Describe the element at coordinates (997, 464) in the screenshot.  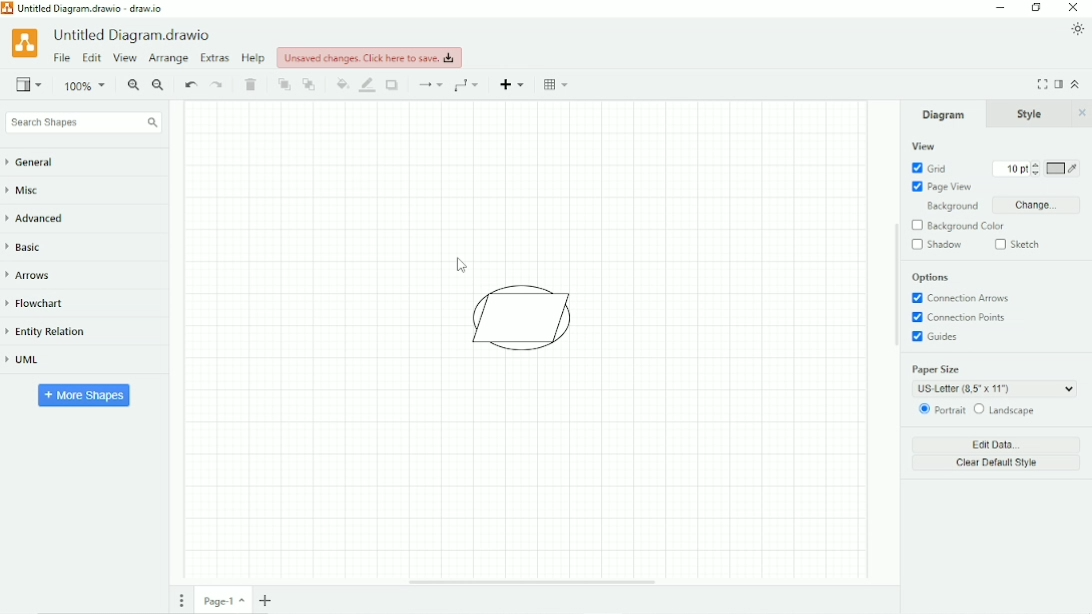
I see `Clear default style` at that location.